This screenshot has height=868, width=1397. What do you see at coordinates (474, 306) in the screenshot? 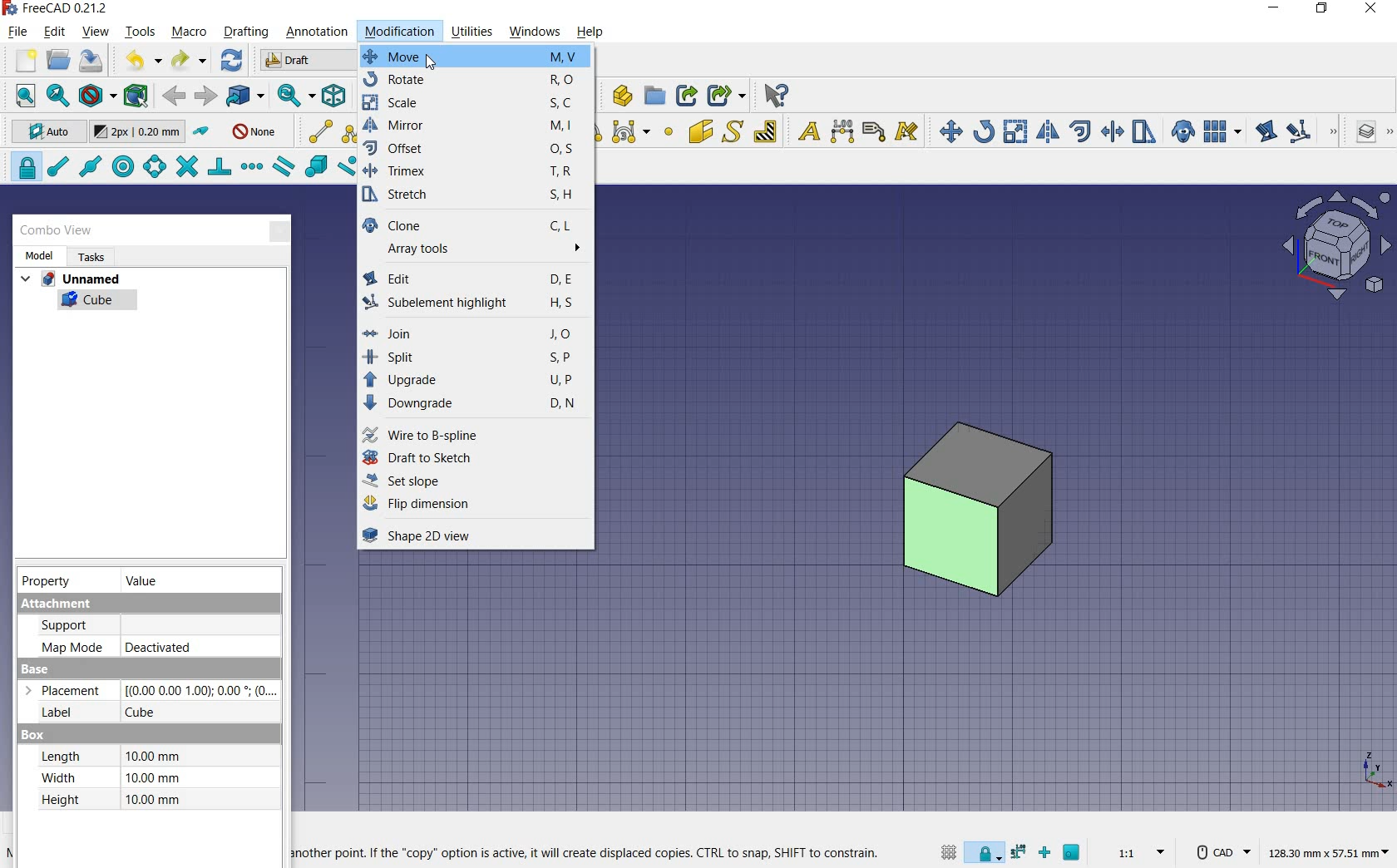
I see `subelement highlight` at bounding box center [474, 306].